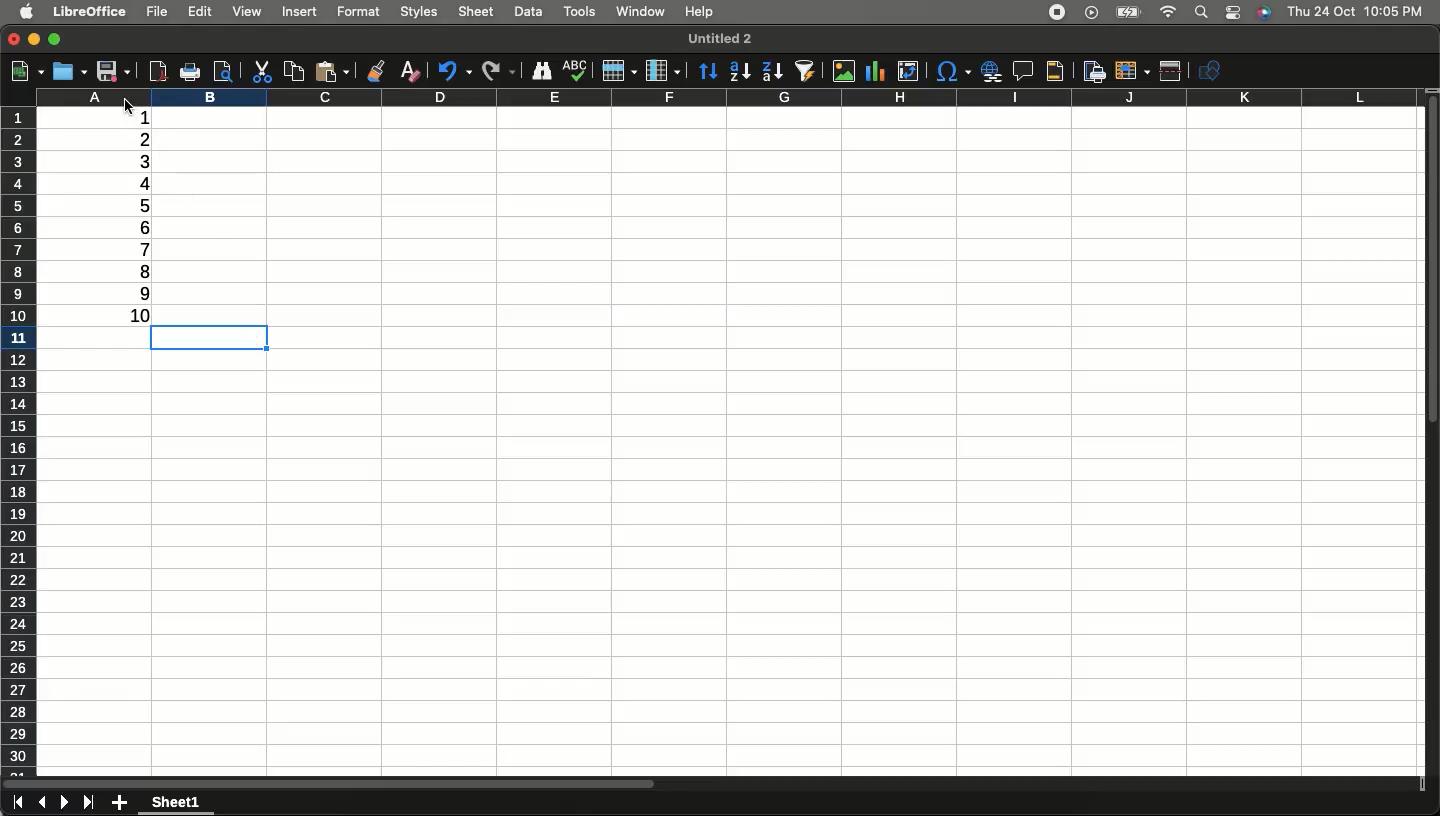 This screenshot has height=816, width=1440. I want to click on 8, so click(144, 270).